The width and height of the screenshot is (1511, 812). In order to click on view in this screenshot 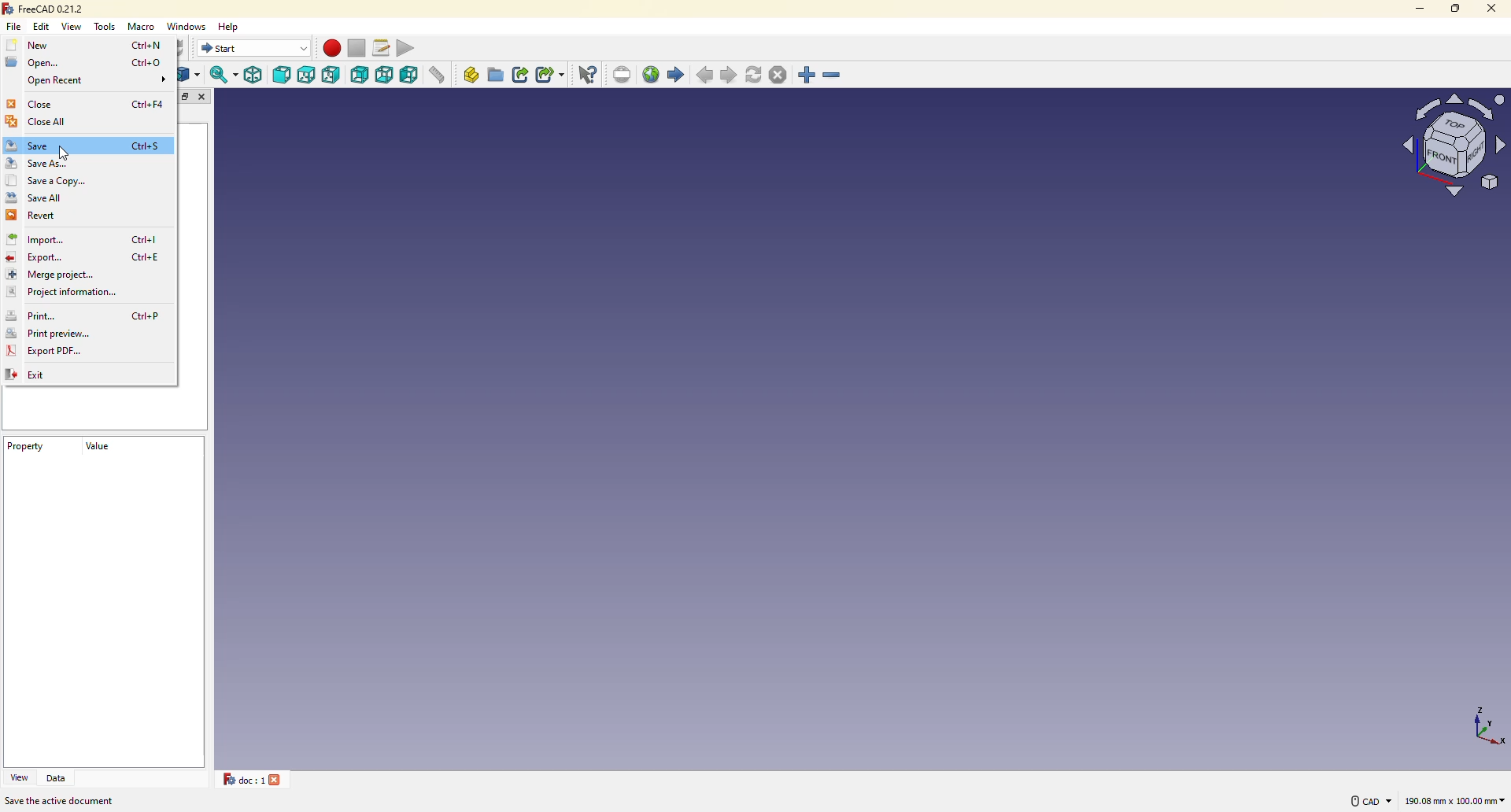, I will do `click(18, 777)`.